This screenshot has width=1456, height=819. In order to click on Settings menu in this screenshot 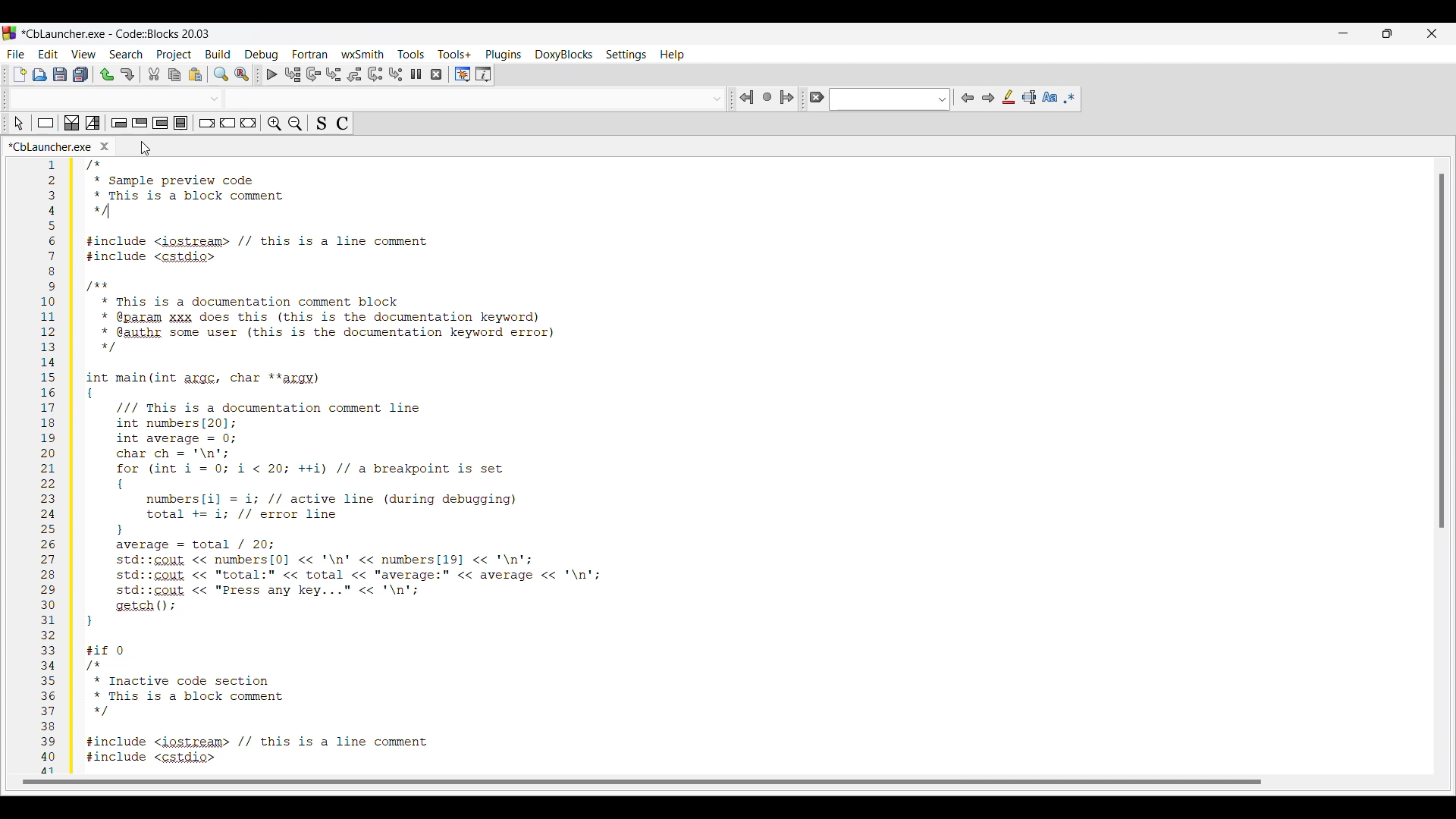, I will do `click(626, 55)`.